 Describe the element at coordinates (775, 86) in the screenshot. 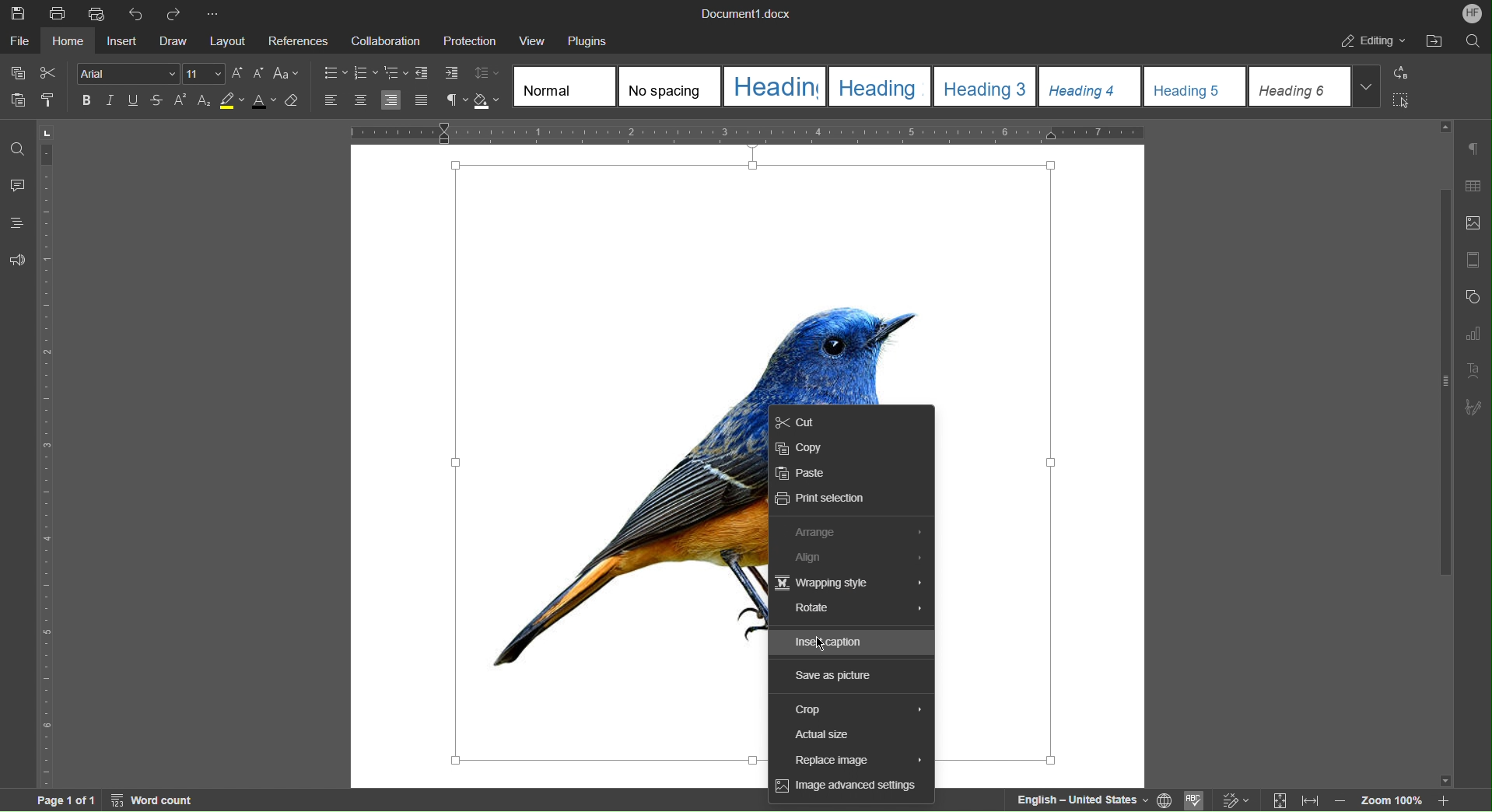

I see `Heading 1` at that location.